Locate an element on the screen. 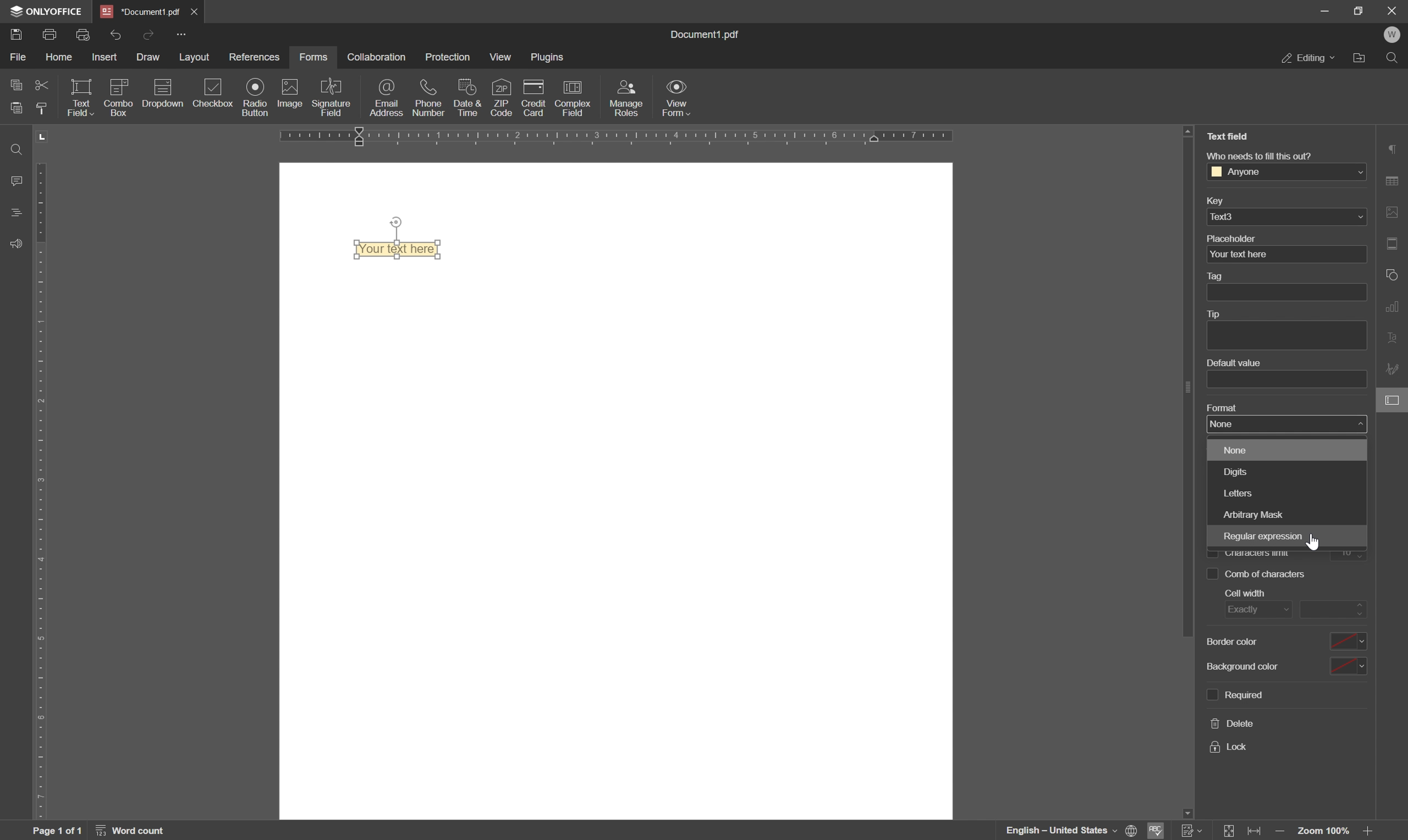 The image size is (1408, 840). zoom 100% is located at coordinates (1325, 832).